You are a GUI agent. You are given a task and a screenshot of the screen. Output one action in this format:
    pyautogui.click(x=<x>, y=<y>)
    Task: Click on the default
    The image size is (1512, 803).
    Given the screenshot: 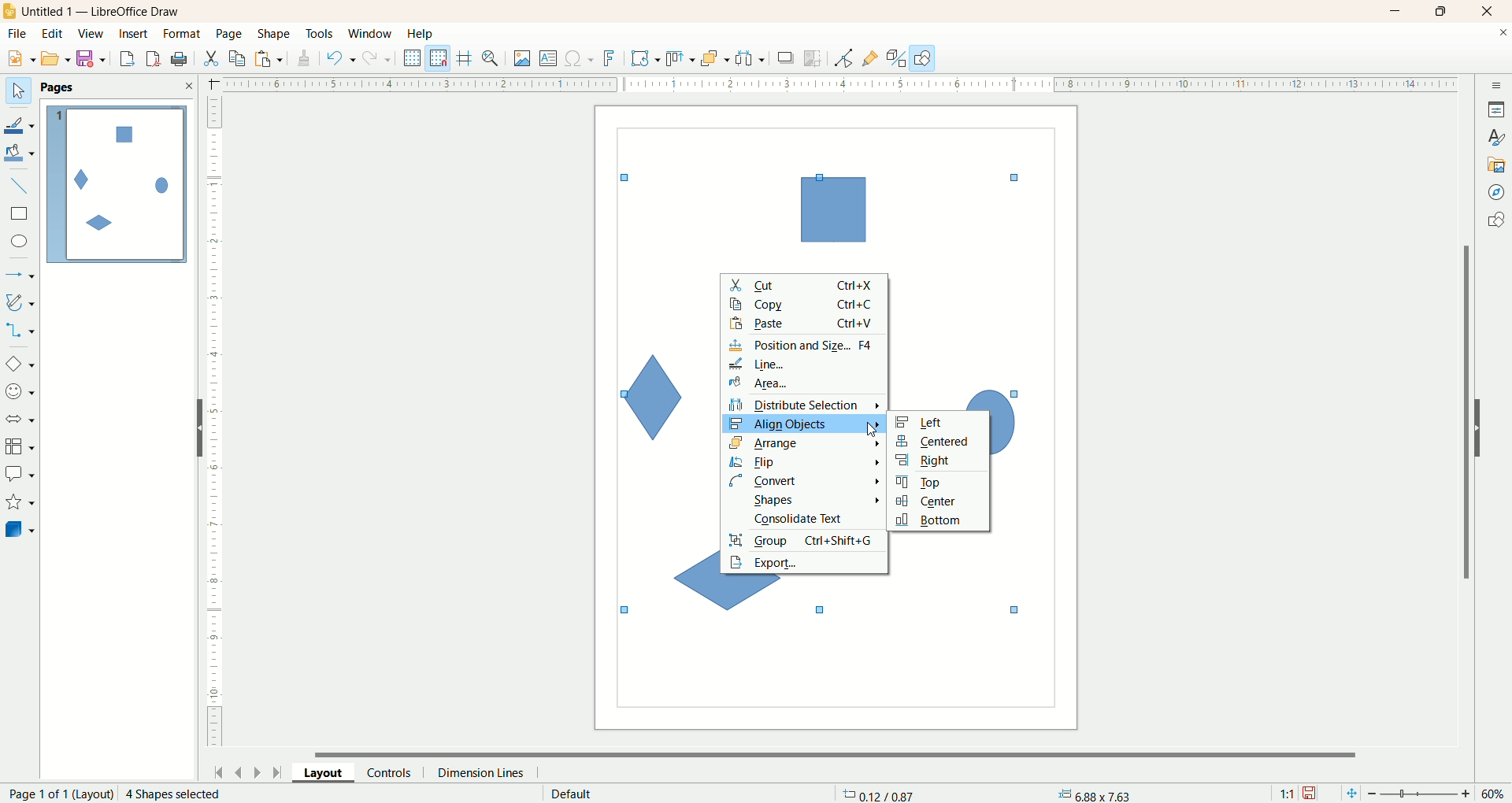 What is the action you would take?
    pyautogui.click(x=573, y=794)
    